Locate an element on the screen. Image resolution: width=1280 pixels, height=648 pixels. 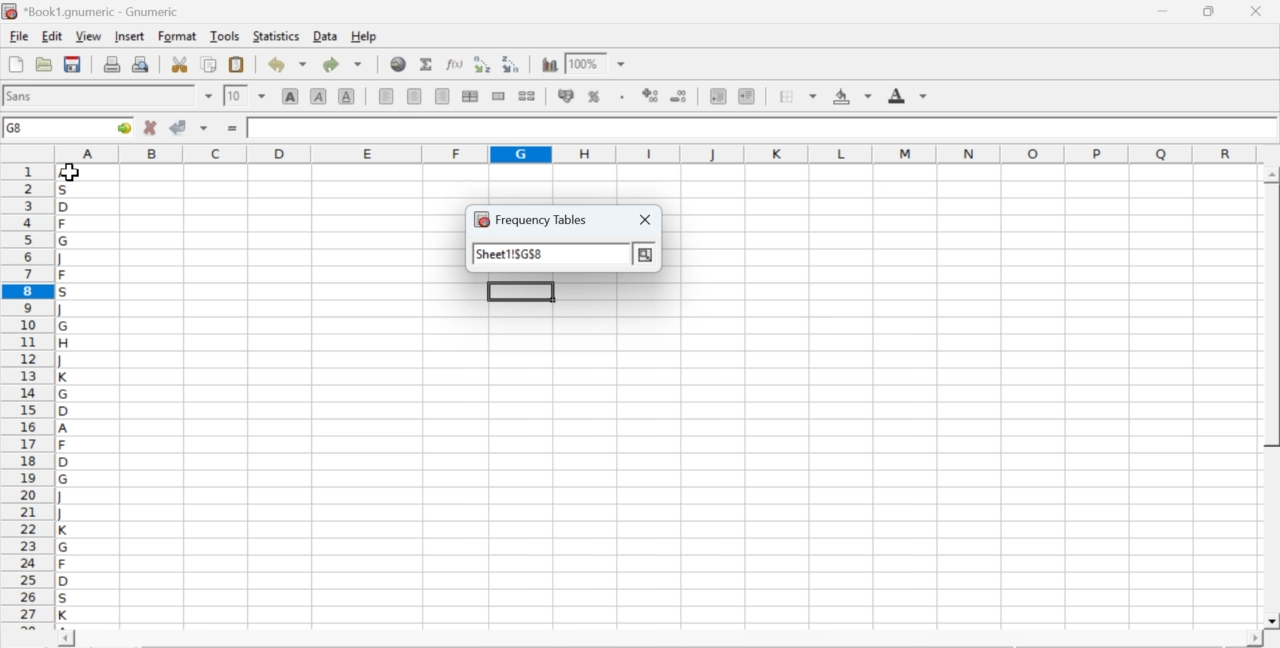
file is located at coordinates (18, 37).